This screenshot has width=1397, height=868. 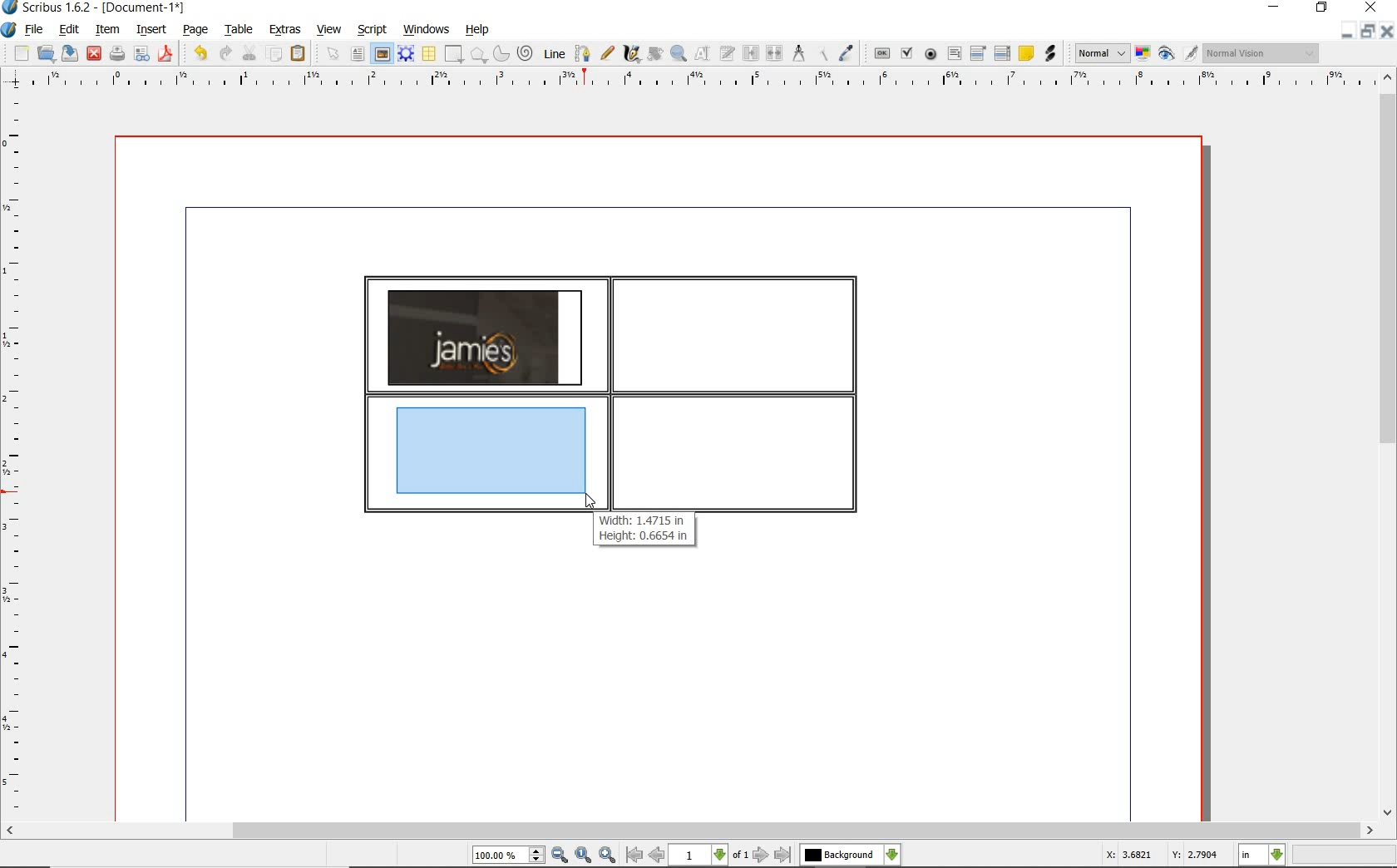 What do you see at coordinates (634, 856) in the screenshot?
I see `go to first page` at bounding box center [634, 856].